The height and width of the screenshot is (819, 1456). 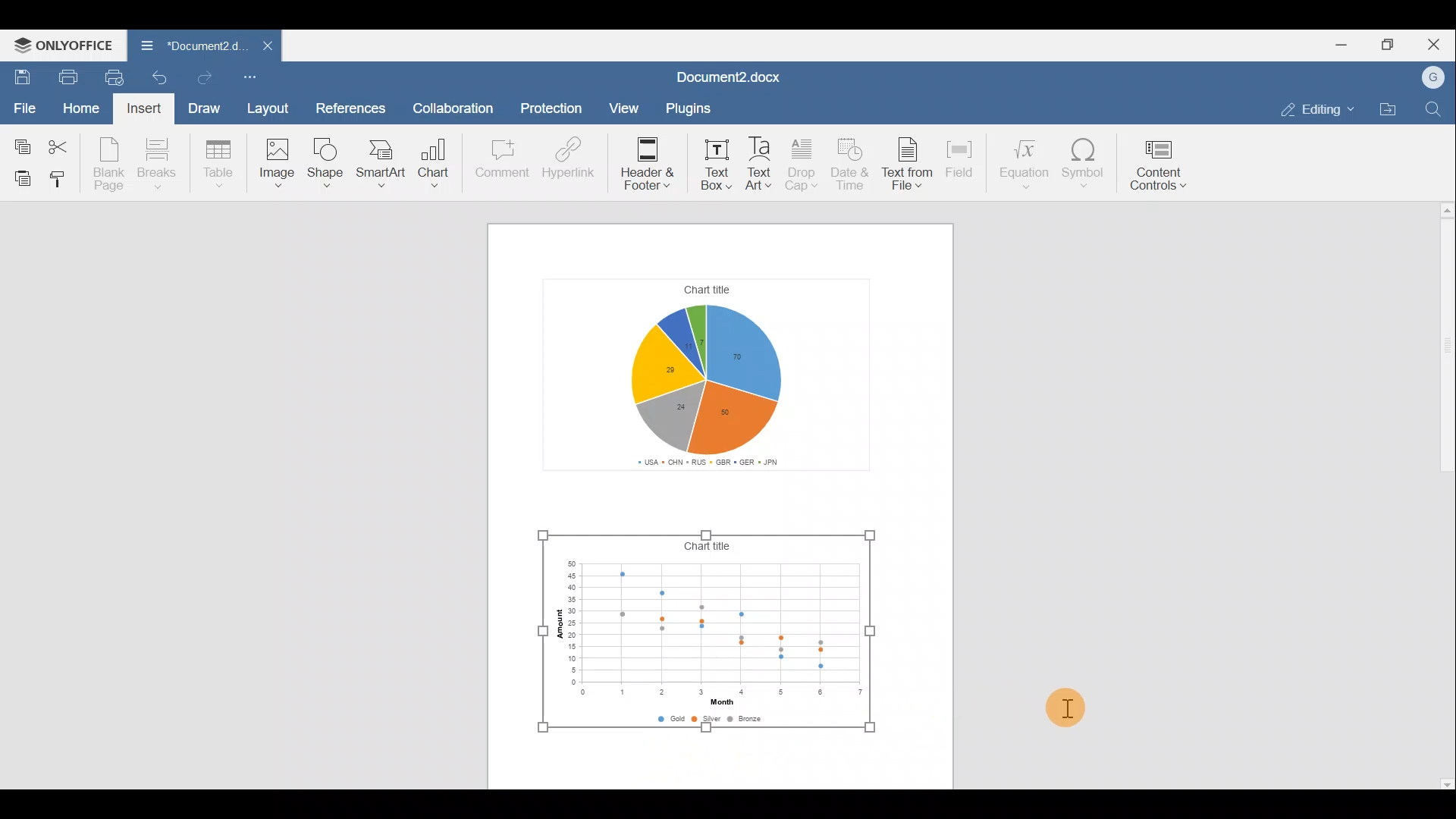 What do you see at coordinates (19, 75) in the screenshot?
I see `Save` at bounding box center [19, 75].